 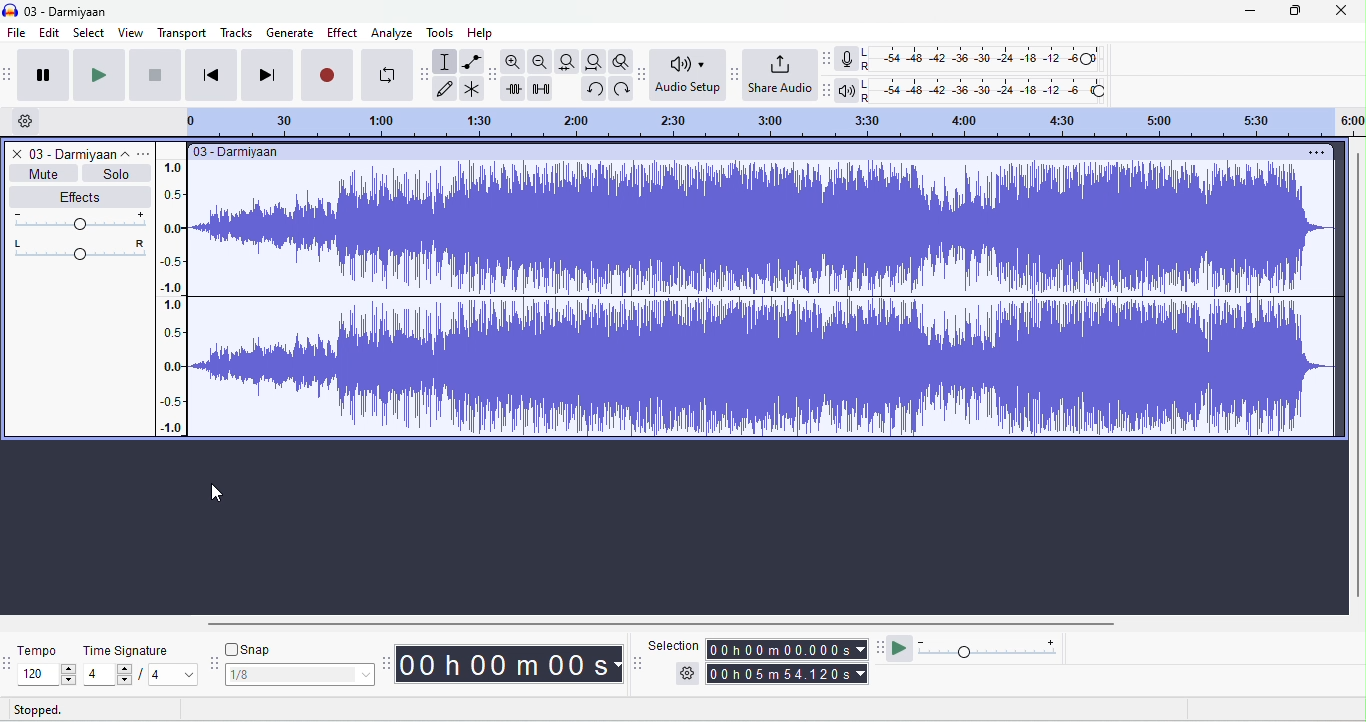 I want to click on fit to track width, so click(x=567, y=62).